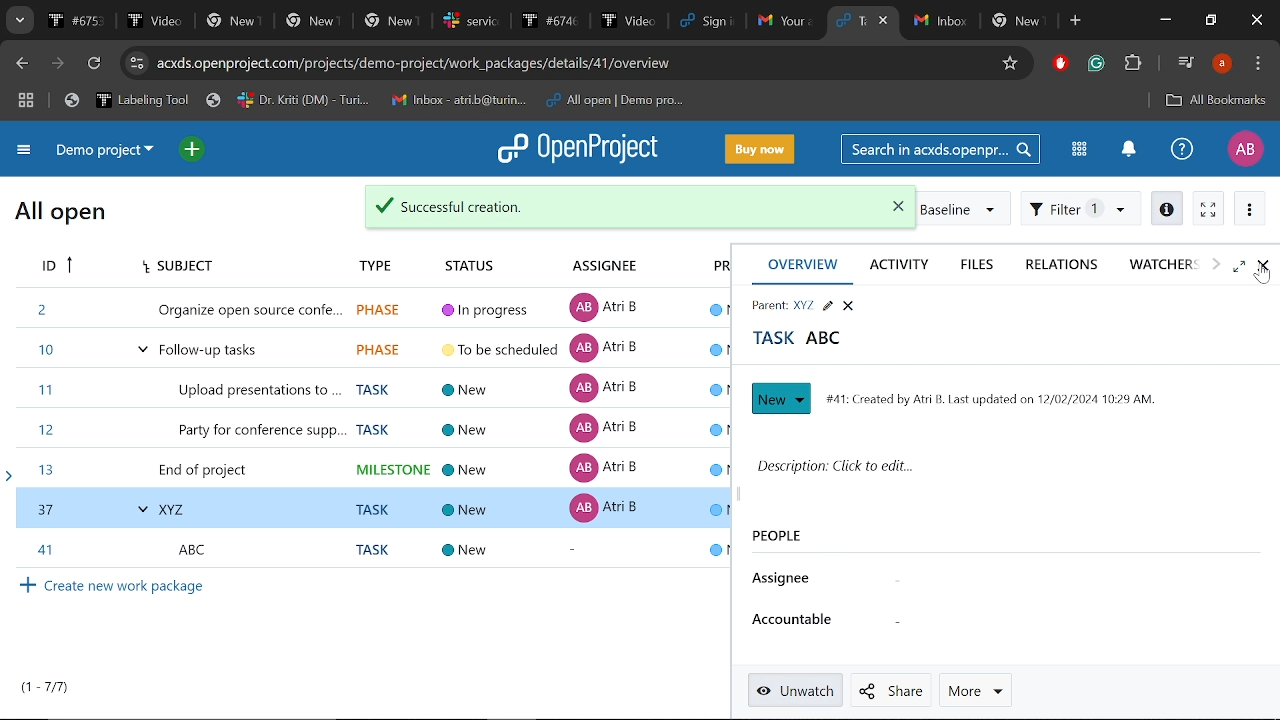  I want to click on Add new tab, so click(1077, 21).